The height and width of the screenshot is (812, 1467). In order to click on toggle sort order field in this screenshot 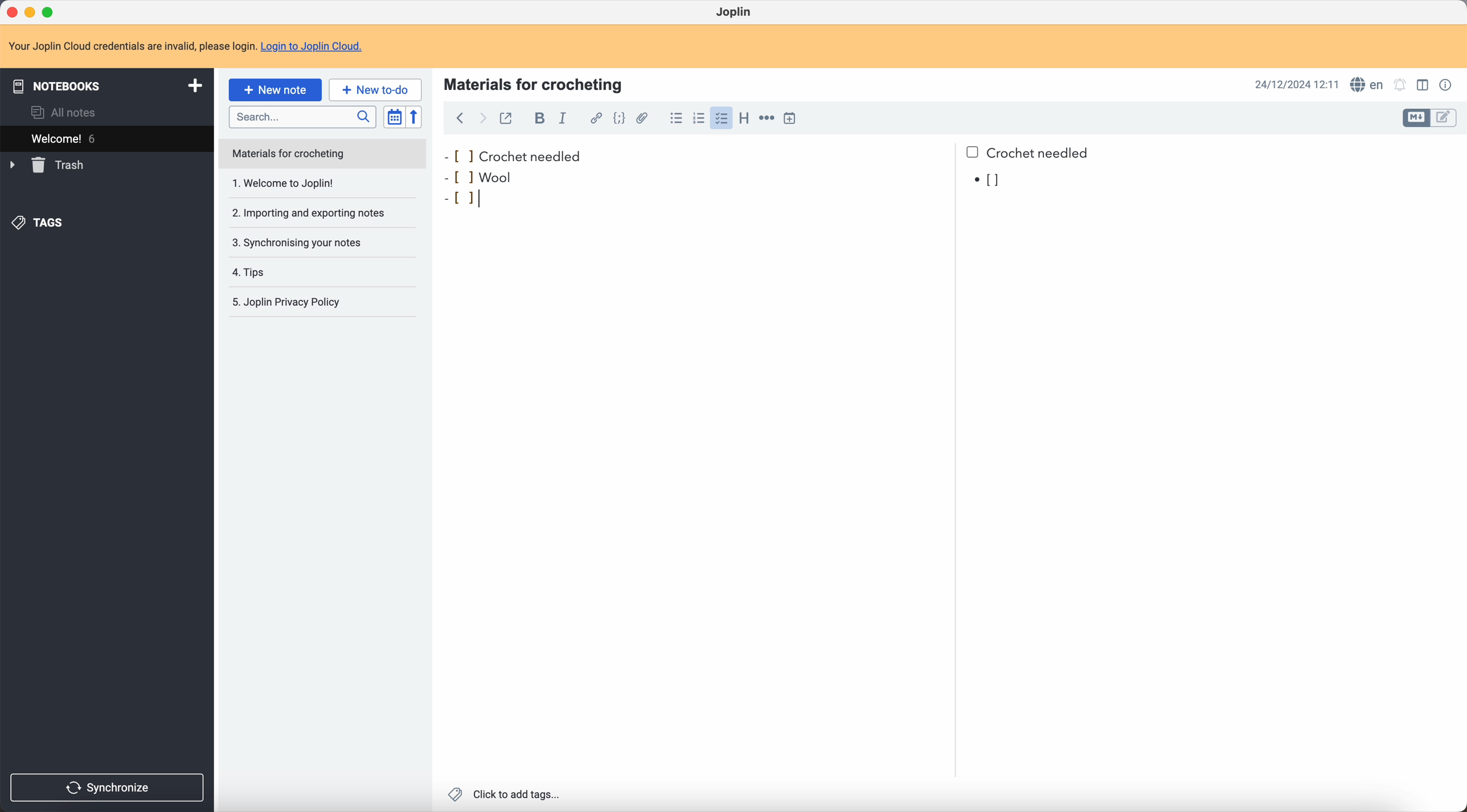, I will do `click(394, 117)`.